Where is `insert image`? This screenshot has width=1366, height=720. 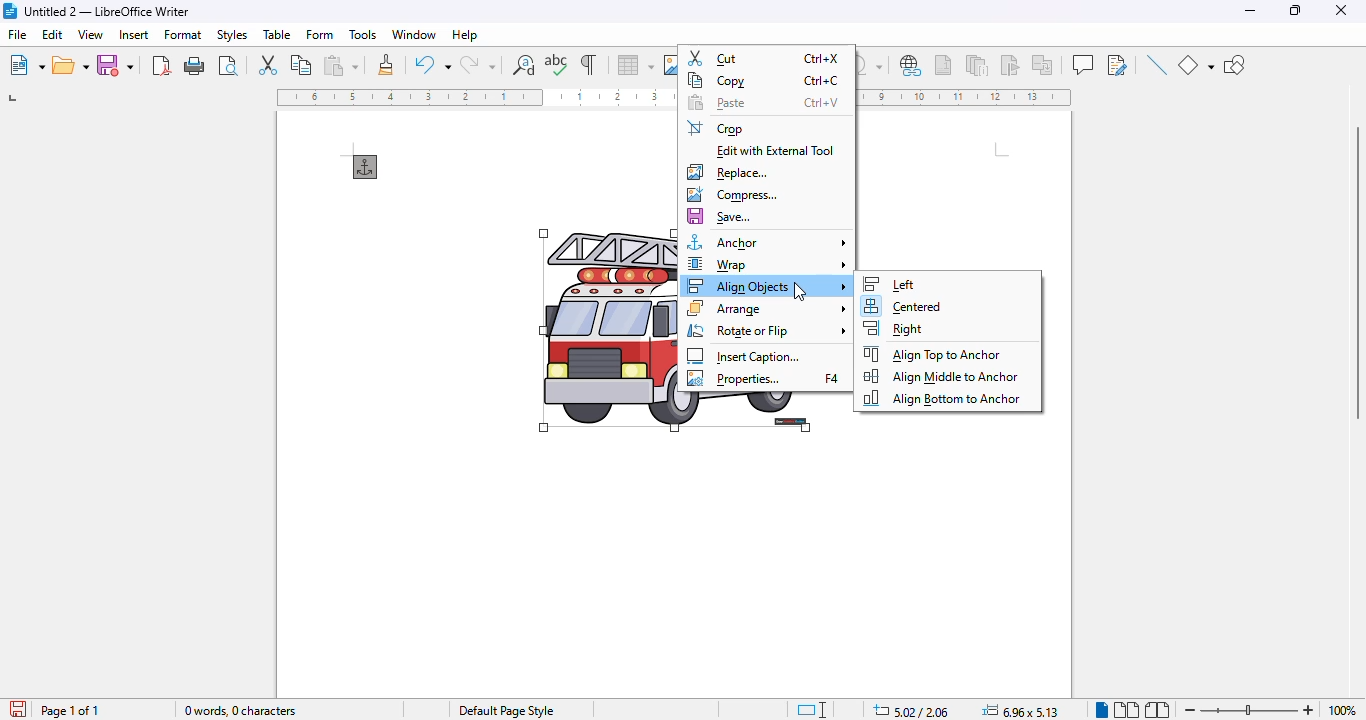 insert image is located at coordinates (670, 65).